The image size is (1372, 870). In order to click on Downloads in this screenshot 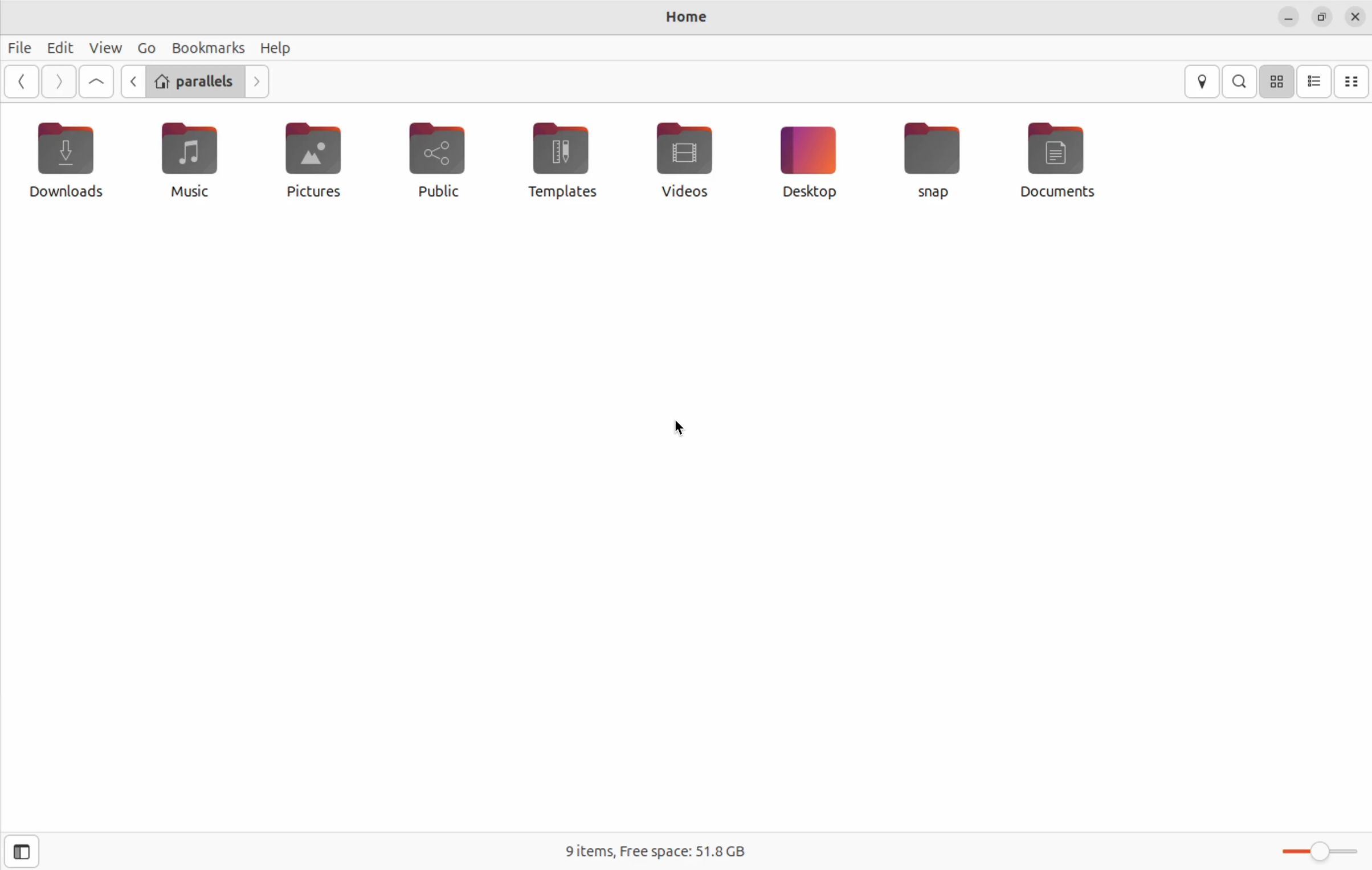, I will do `click(64, 160)`.